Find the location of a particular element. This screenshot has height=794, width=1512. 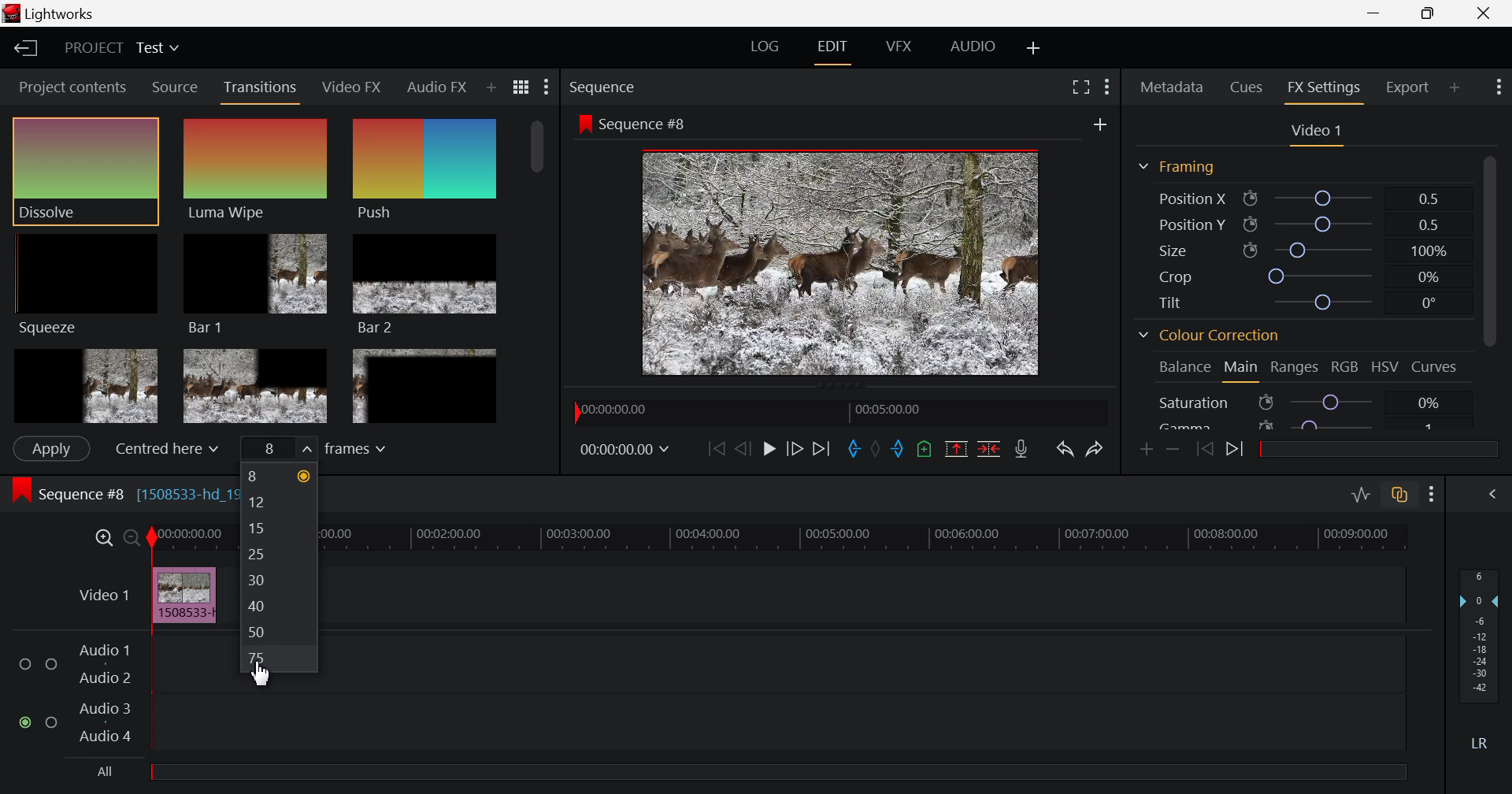

Audio FX is located at coordinates (436, 83).